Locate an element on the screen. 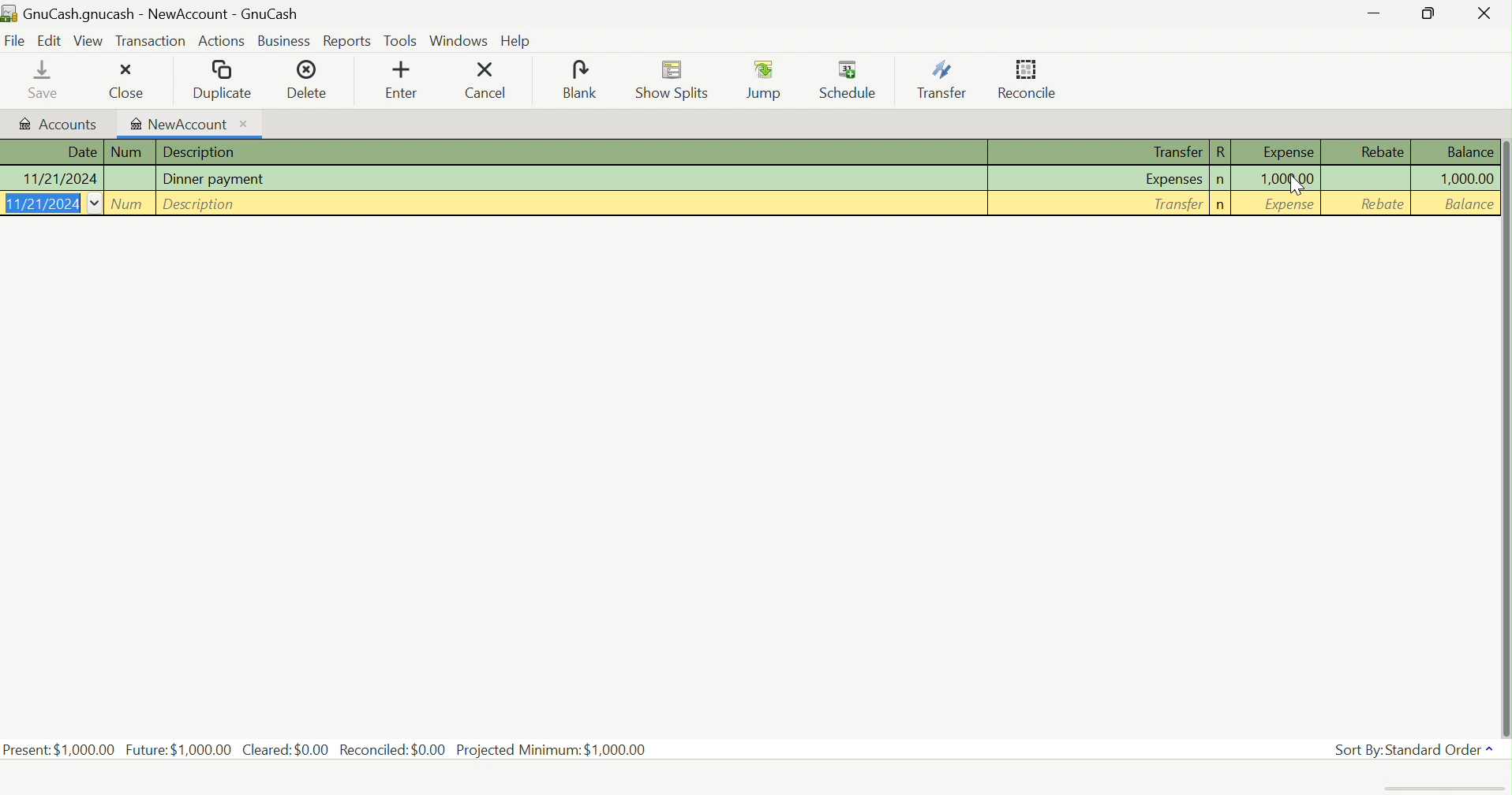 The height and width of the screenshot is (795, 1512). Dinner is located at coordinates (219, 179).